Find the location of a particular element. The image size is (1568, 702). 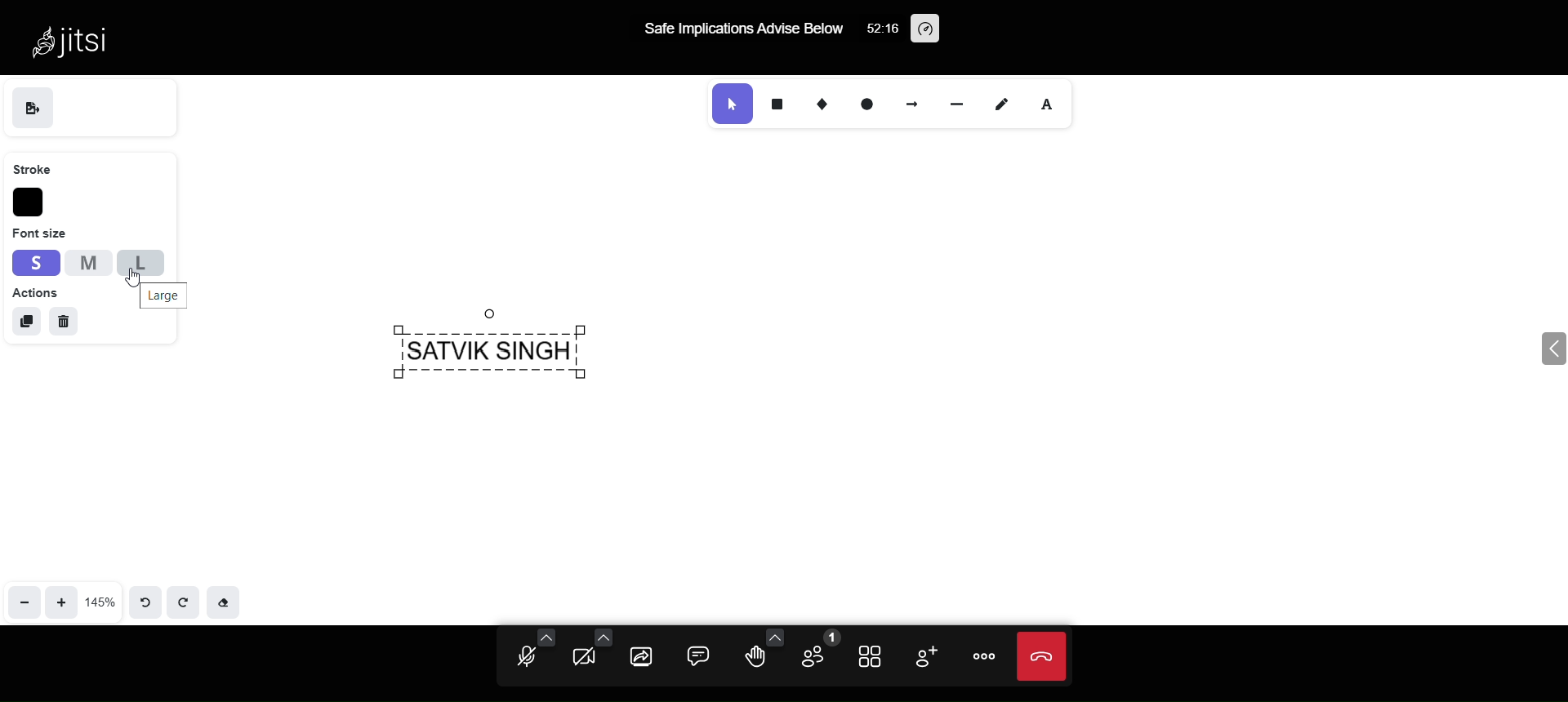

performance setting is located at coordinates (926, 27).